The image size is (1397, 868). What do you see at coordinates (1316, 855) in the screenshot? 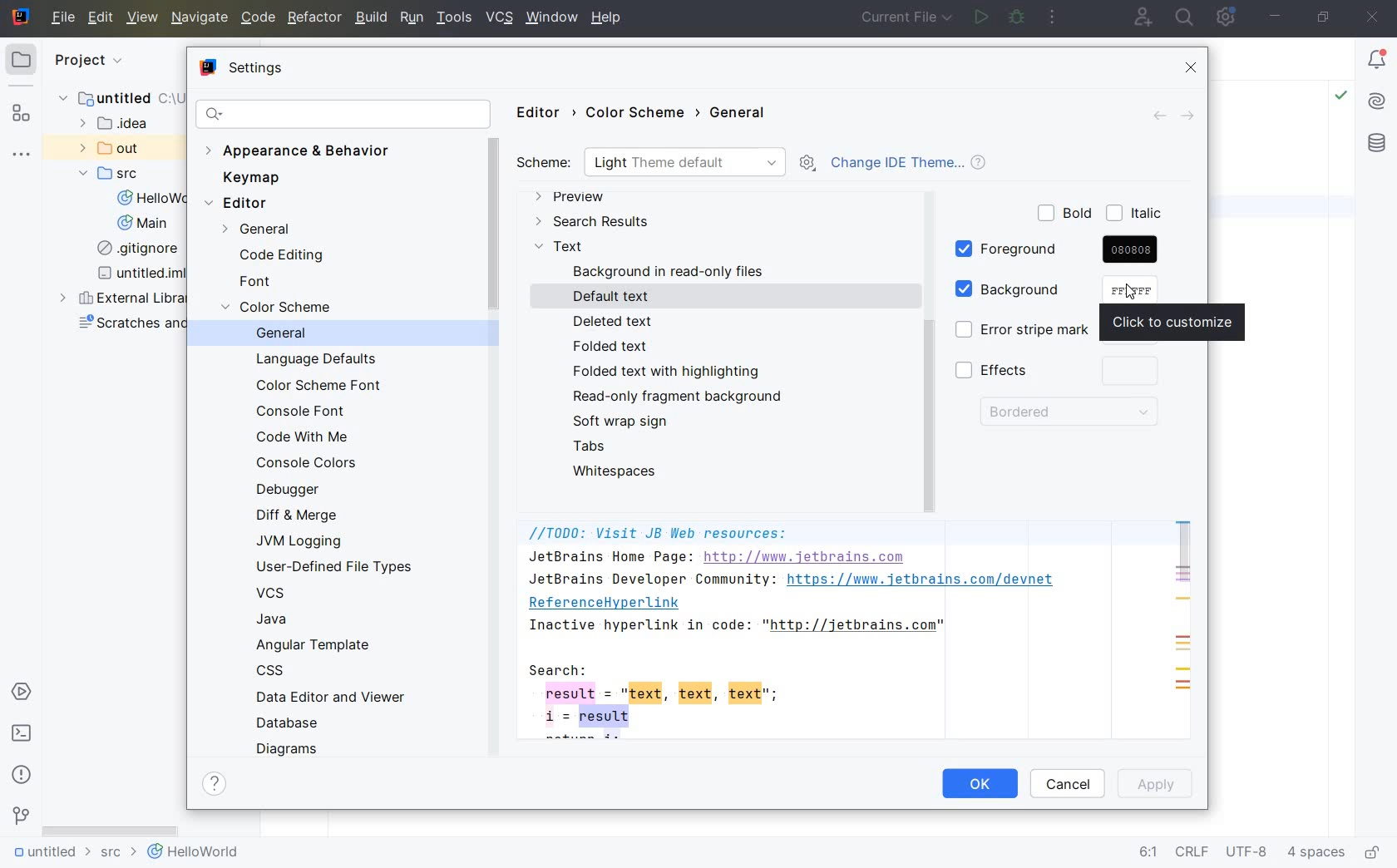
I see `indent` at bounding box center [1316, 855].